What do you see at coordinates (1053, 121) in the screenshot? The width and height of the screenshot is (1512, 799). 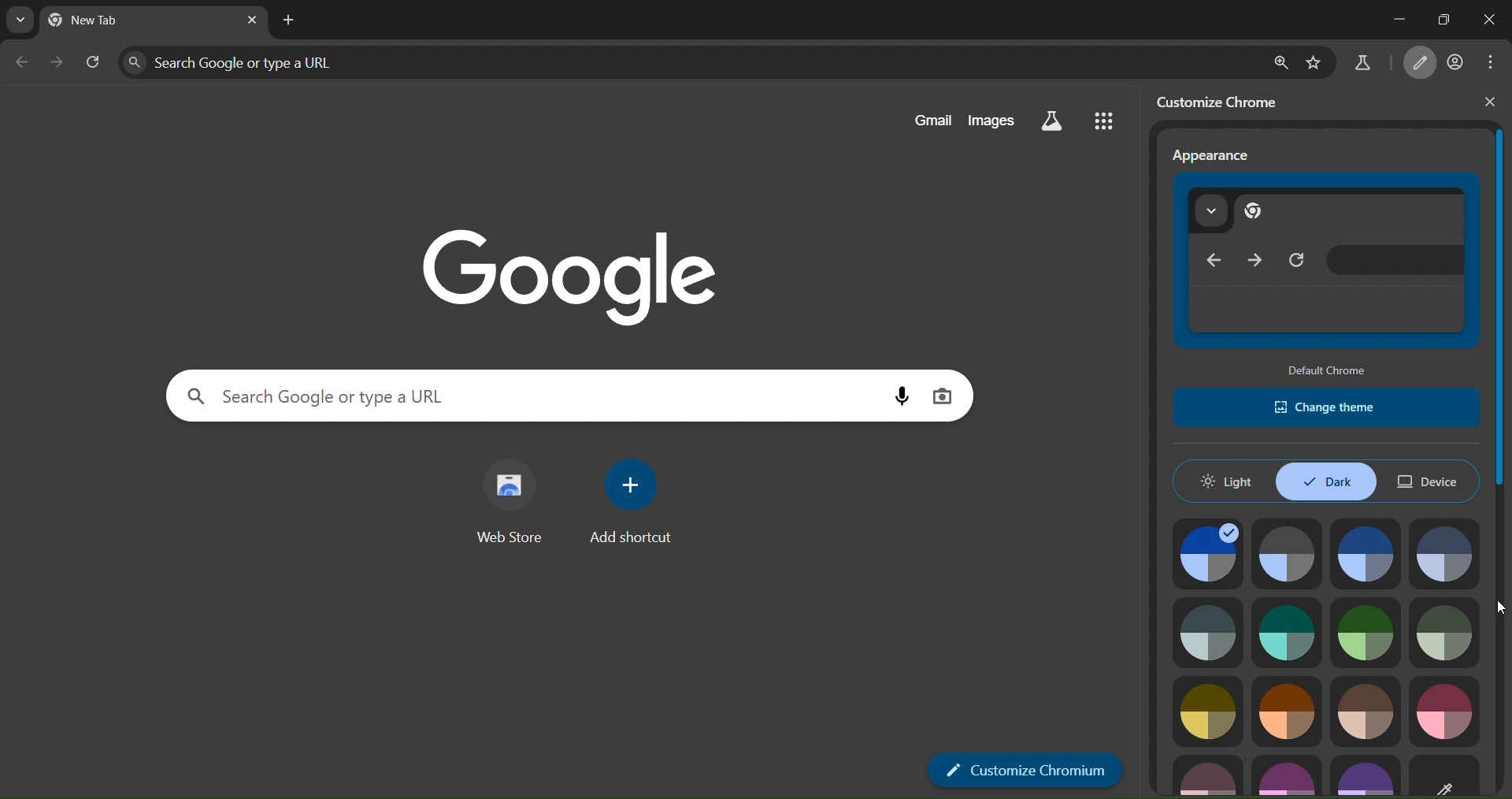 I see `search labs` at bounding box center [1053, 121].